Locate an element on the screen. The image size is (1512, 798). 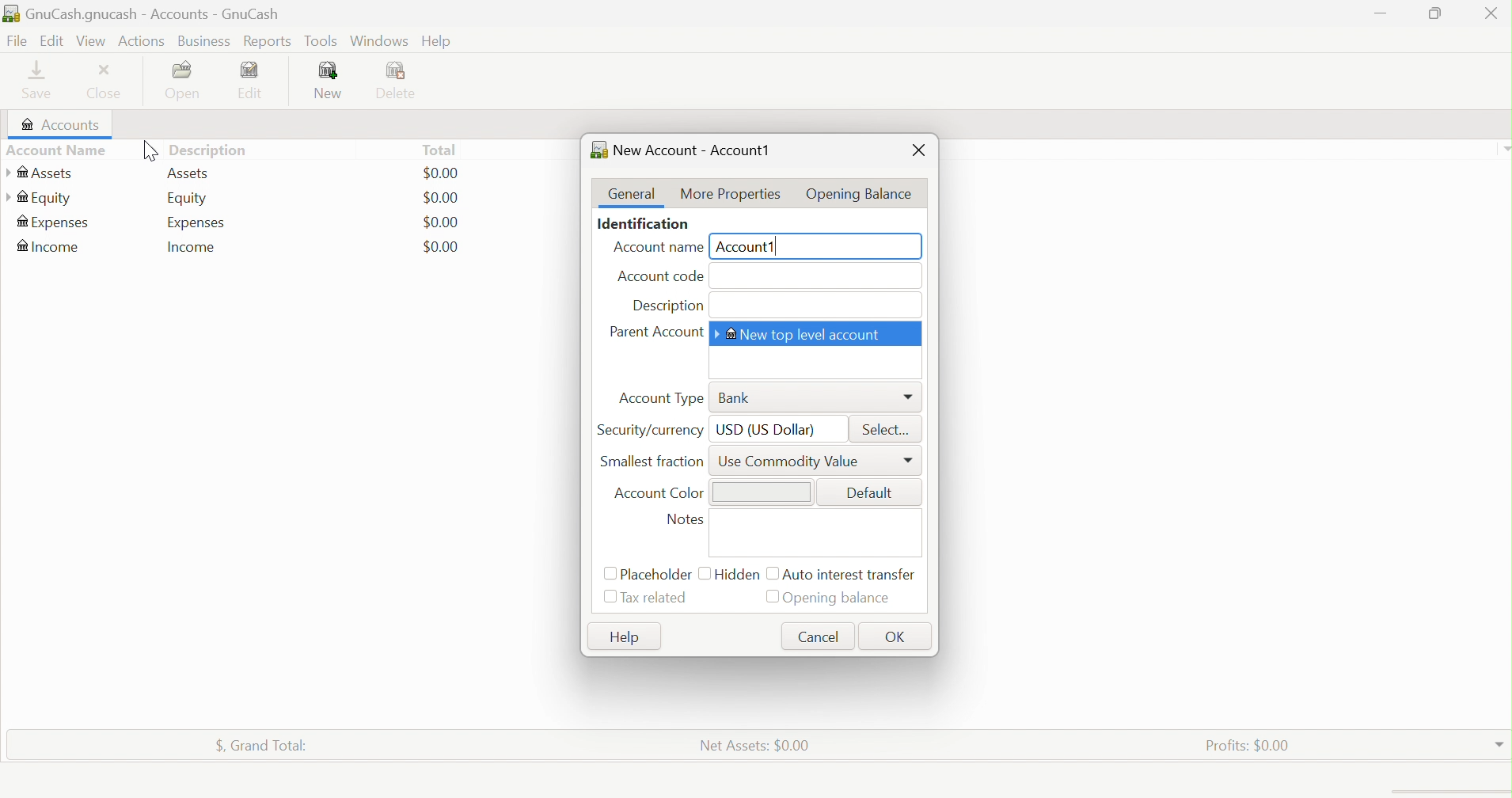
New Account - Account1 is located at coordinates (692, 148).